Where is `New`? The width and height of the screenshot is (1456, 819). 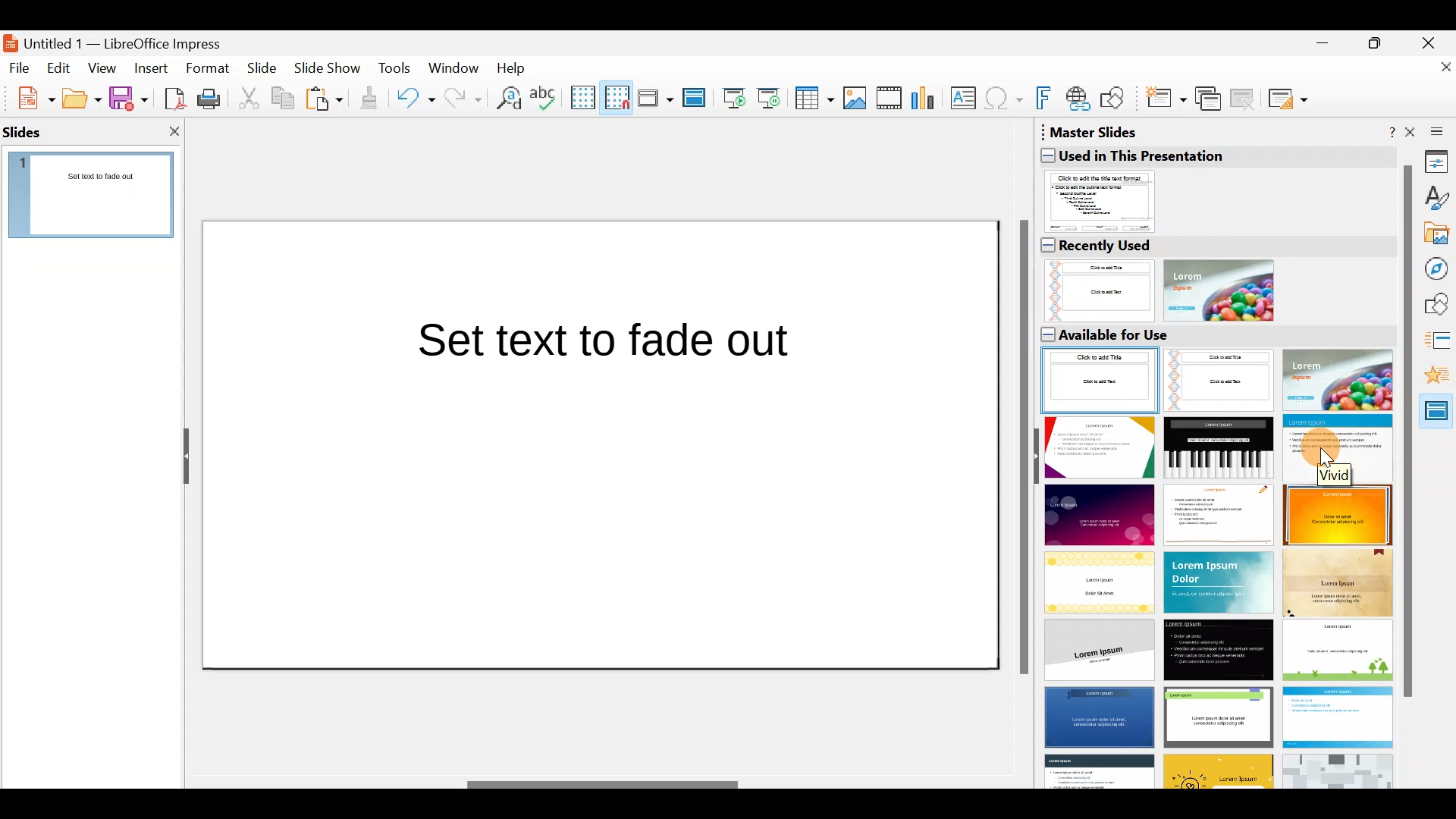
New is located at coordinates (28, 96).